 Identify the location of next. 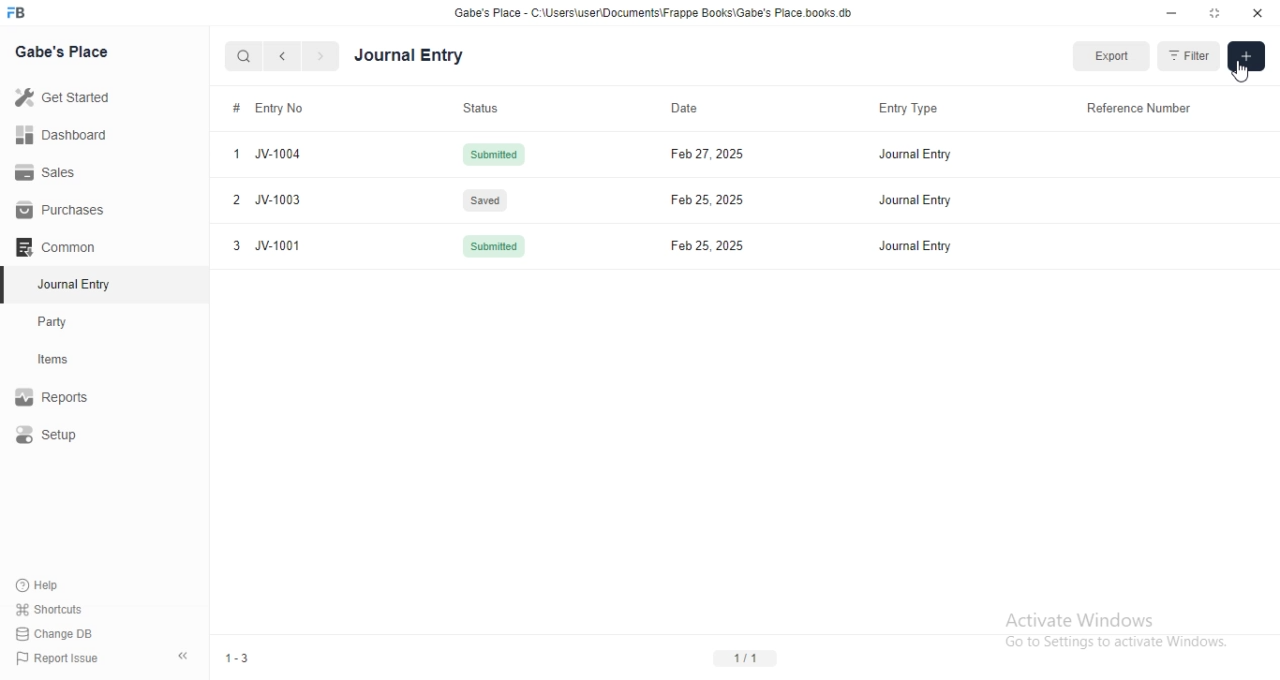
(318, 57).